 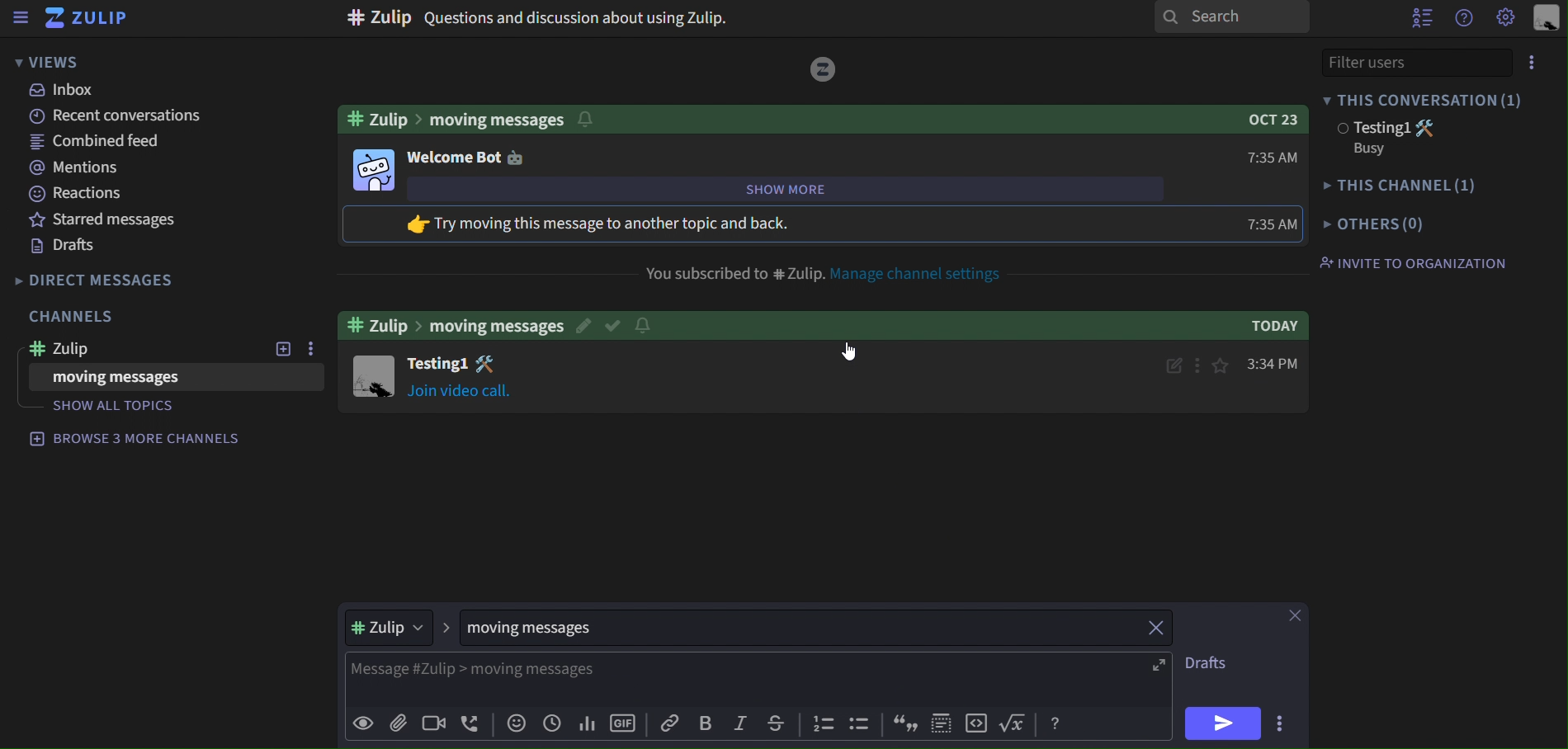 What do you see at coordinates (124, 407) in the screenshot?
I see `show all topics` at bounding box center [124, 407].